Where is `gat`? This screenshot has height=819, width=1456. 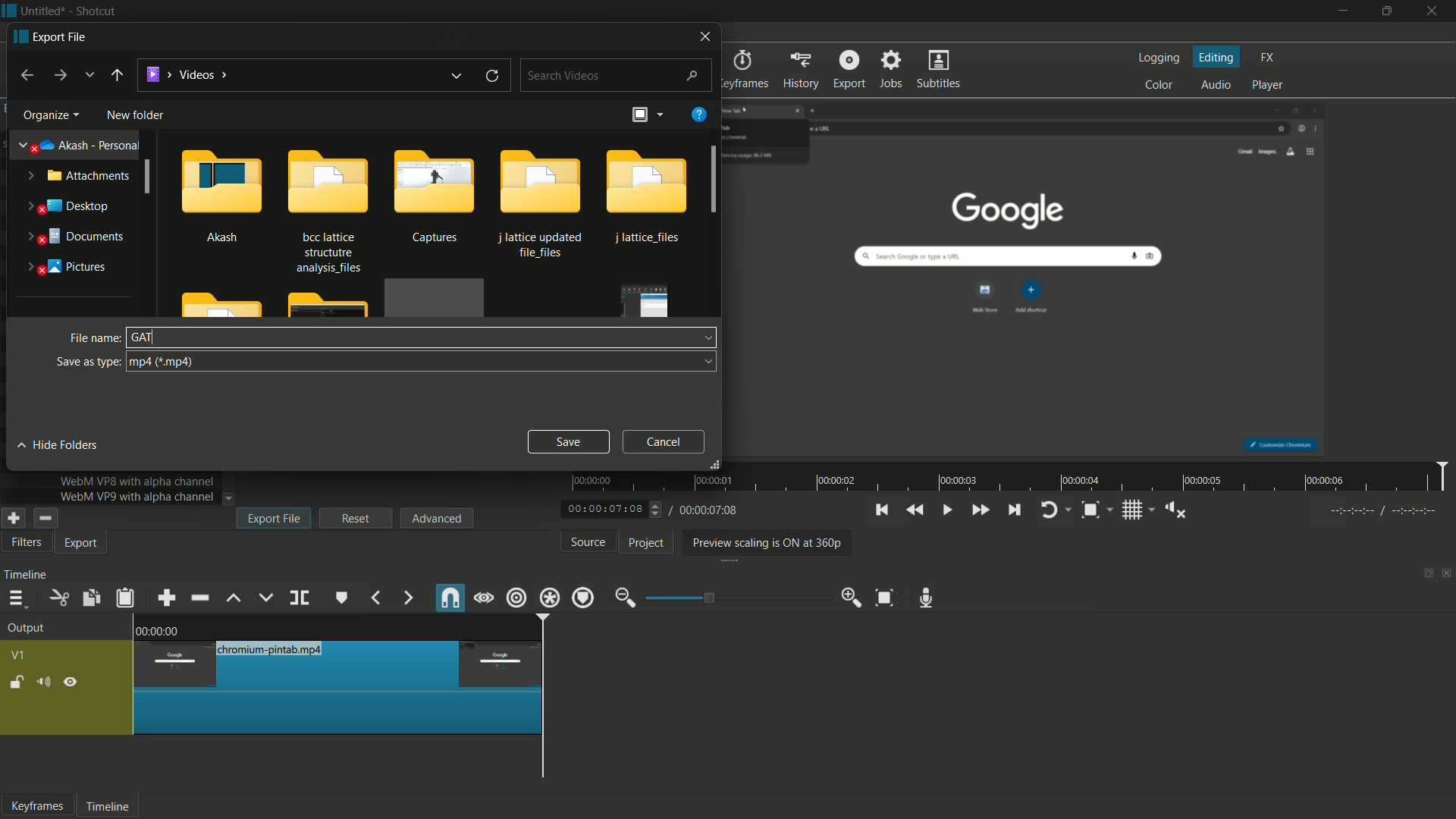 gat is located at coordinates (144, 337).